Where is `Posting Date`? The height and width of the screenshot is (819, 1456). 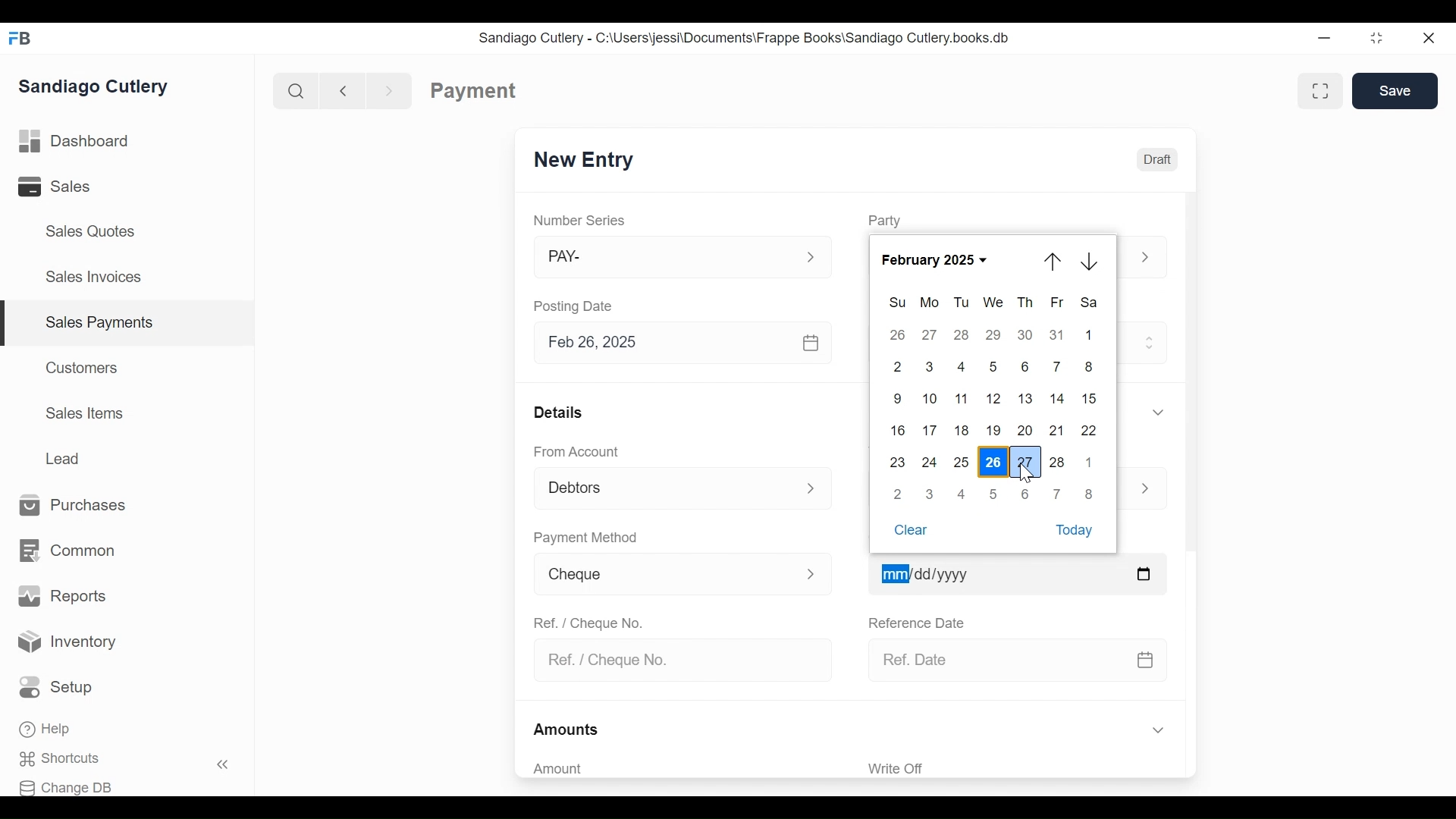 Posting Date is located at coordinates (576, 306).